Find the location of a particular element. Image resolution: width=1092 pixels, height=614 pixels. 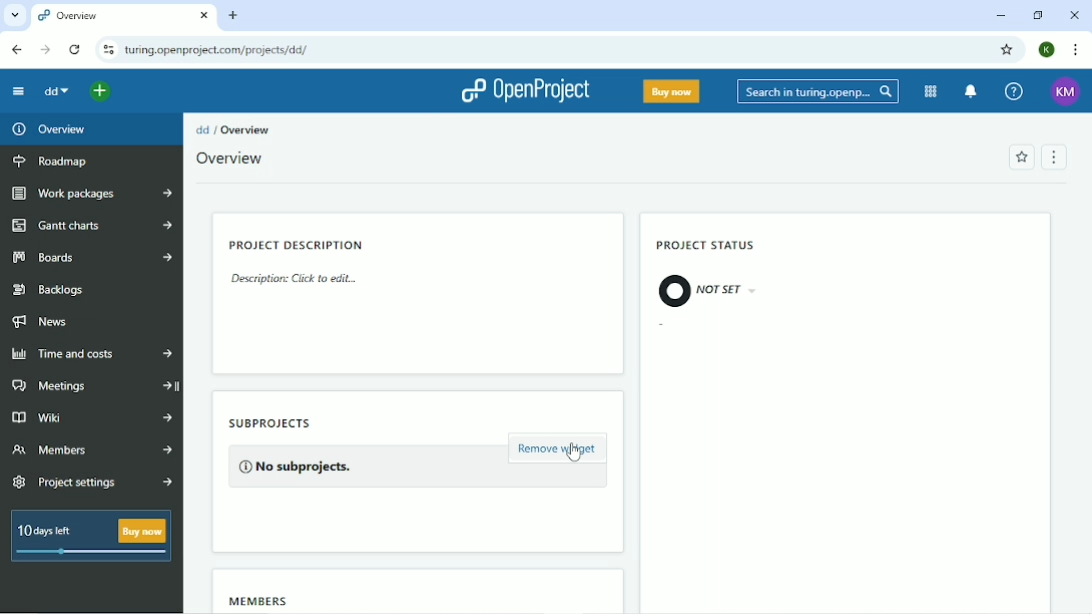

Bookmark this tab is located at coordinates (1005, 49).